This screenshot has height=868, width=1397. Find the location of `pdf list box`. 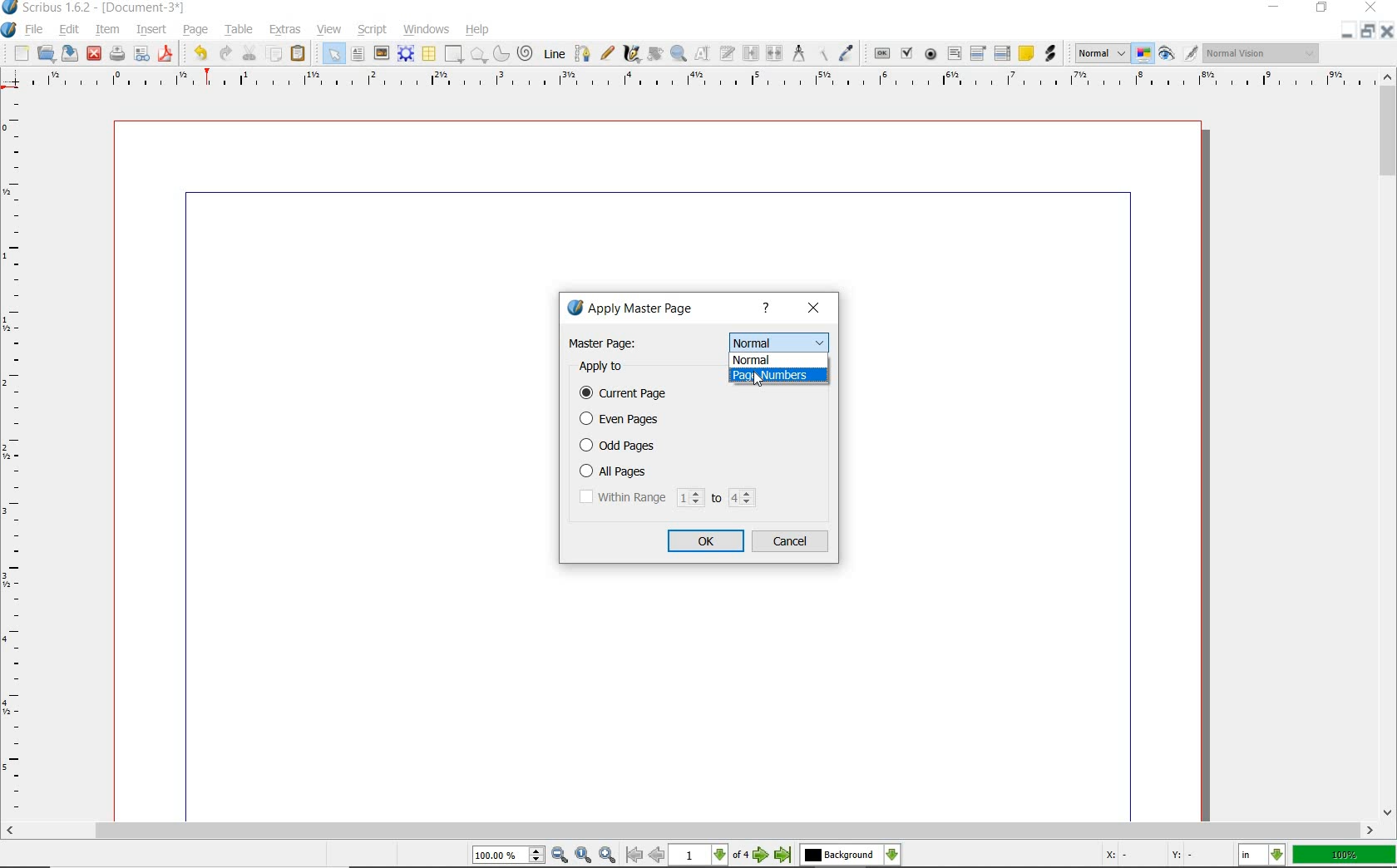

pdf list box is located at coordinates (1004, 52).